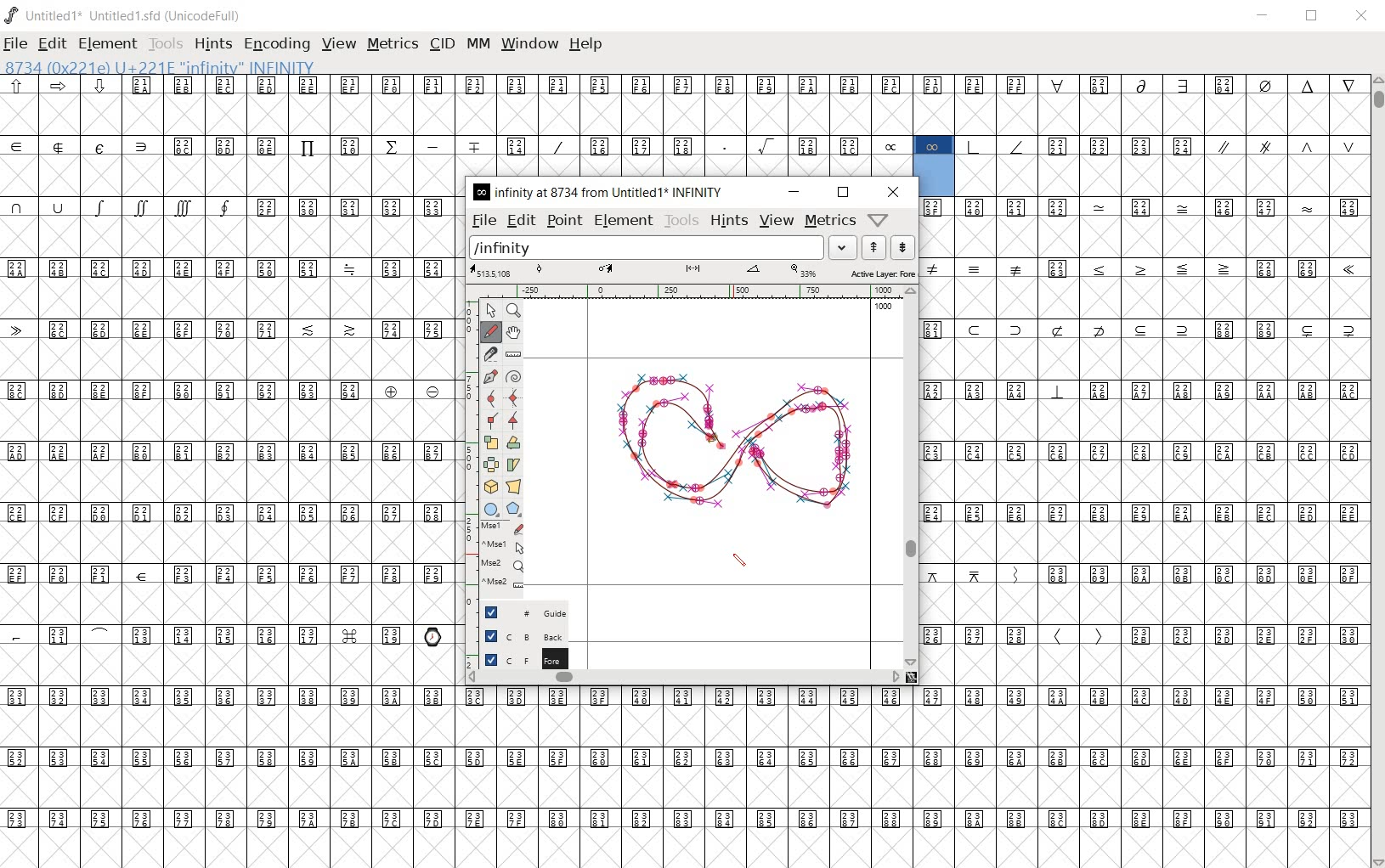 Image resolution: width=1385 pixels, height=868 pixels. I want to click on cid, so click(442, 45).